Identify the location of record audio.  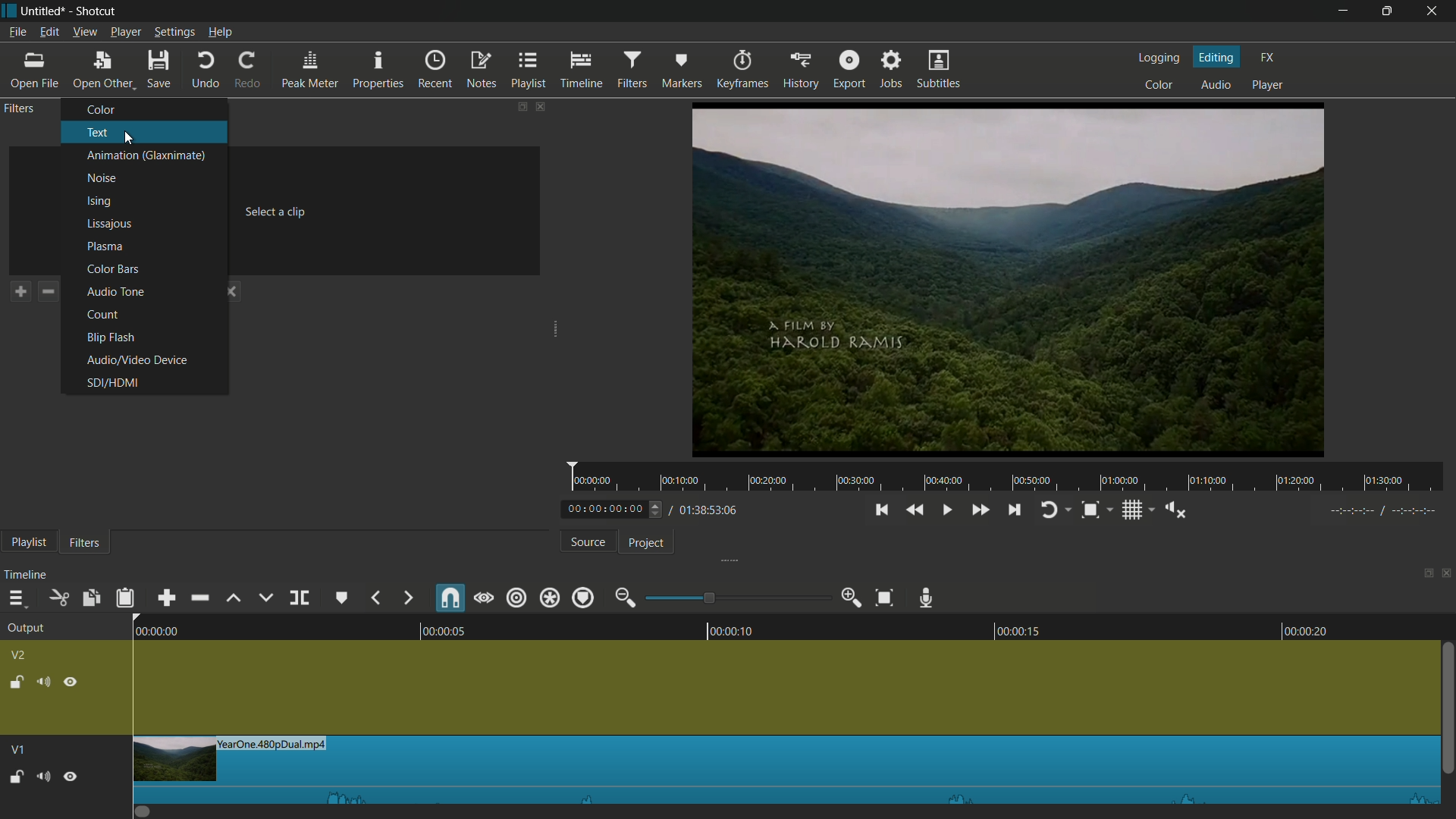
(927, 596).